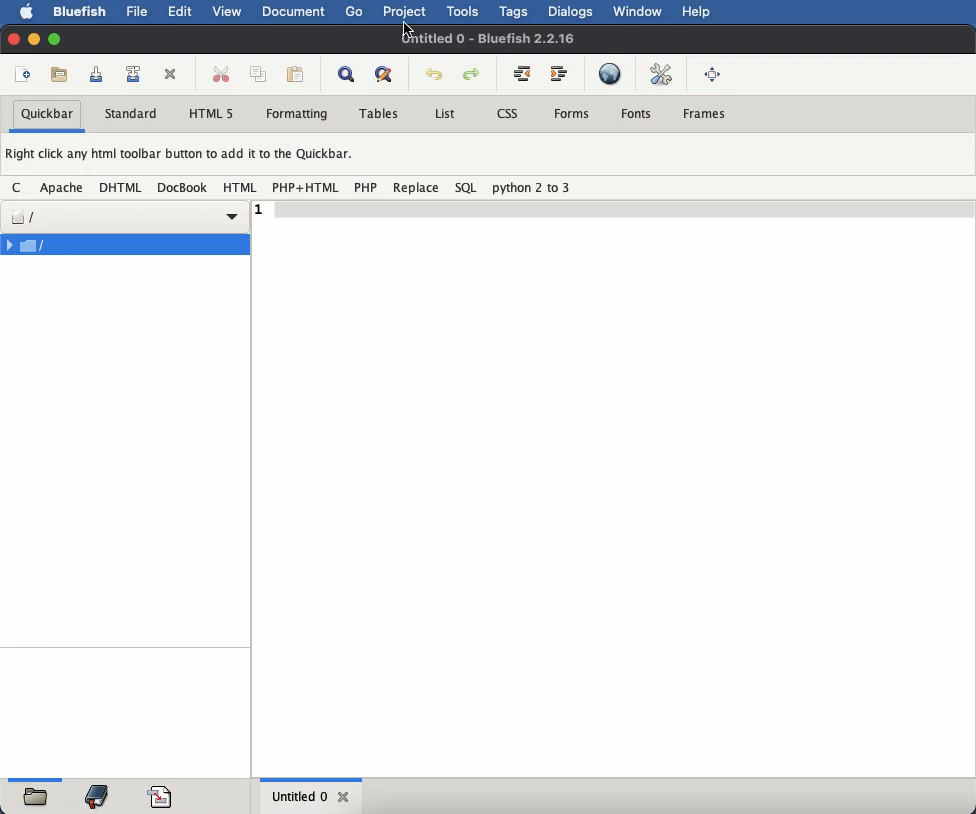 The image size is (976, 814). What do you see at coordinates (135, 74) in the screenshot?
I see `save file as` at bounding box center [135, 74].